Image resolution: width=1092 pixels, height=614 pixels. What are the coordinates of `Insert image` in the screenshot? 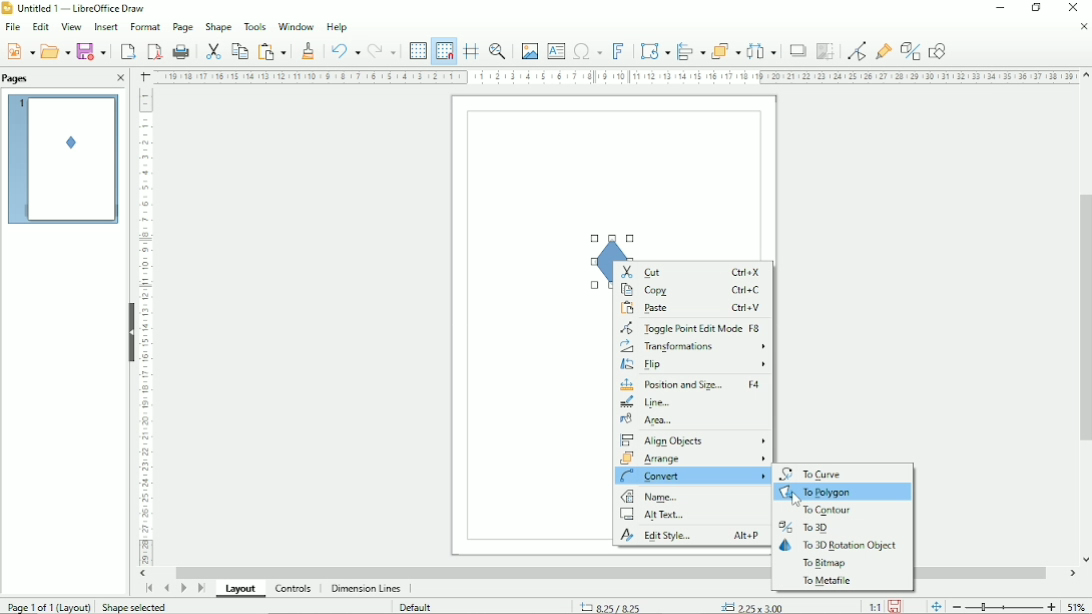 It's located at (528, 51).